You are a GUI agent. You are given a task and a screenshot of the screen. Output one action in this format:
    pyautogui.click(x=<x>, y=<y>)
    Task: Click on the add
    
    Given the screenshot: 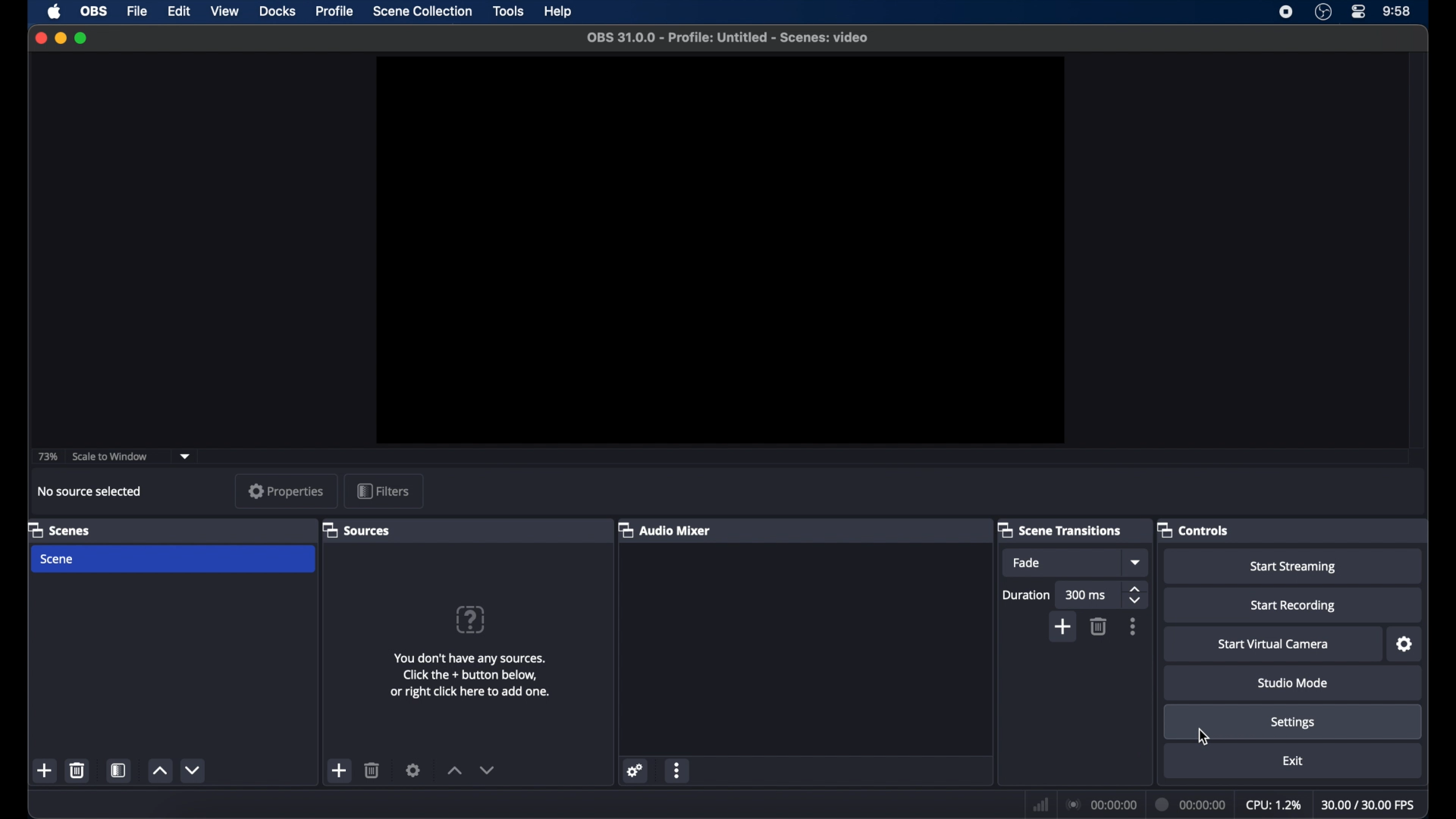 What is the action you would take?
    pyautogui.click(x=45, y=772)
    